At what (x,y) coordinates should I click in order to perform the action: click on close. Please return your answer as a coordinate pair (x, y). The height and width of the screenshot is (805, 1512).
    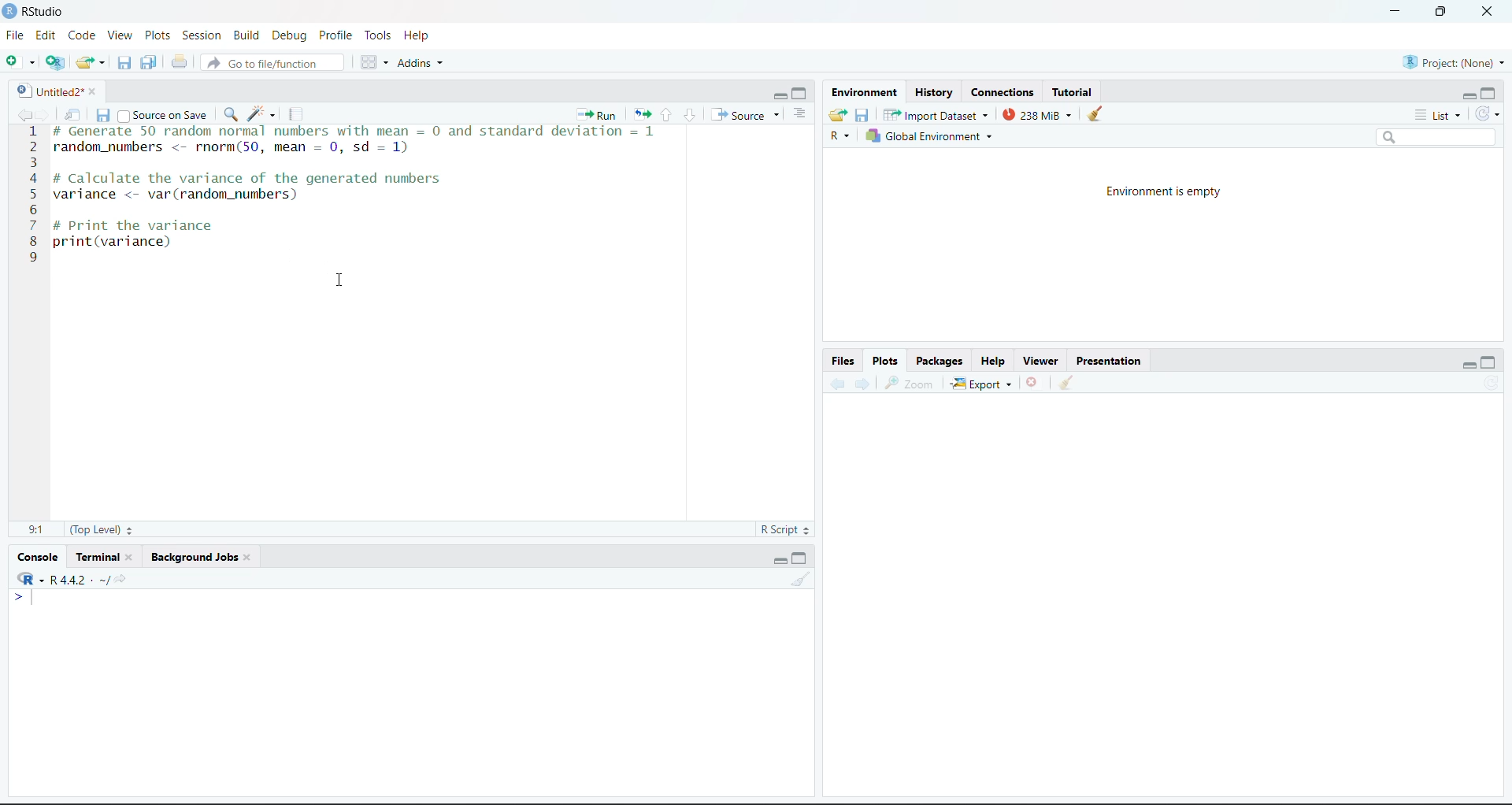
    Looking at the image, I should click on (1488, 12).